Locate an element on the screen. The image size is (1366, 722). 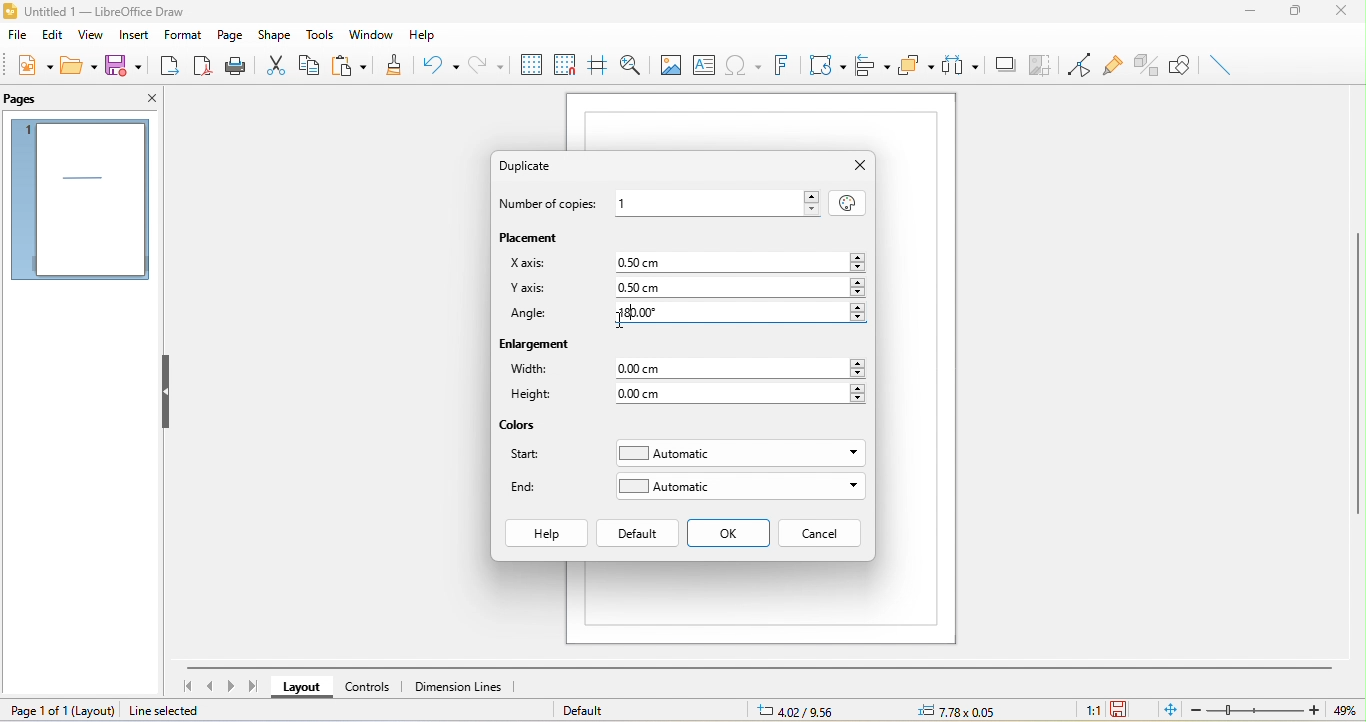
0.00 cm is located at coordinates (742, 393).